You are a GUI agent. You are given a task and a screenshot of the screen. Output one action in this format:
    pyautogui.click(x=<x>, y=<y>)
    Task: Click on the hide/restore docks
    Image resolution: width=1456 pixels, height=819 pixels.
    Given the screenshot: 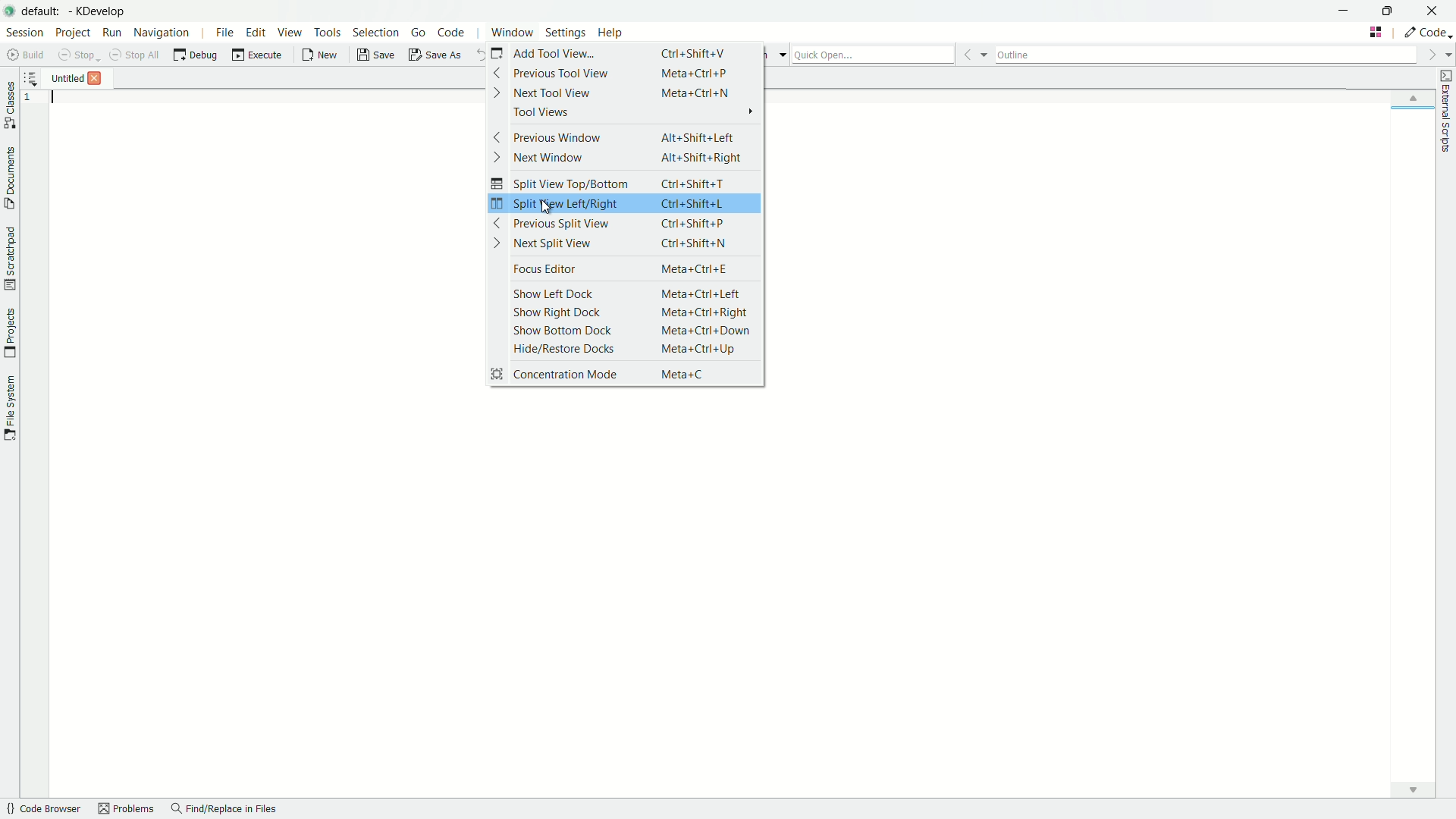 What is the action you would take?
    pyautogui.click(x=574, y=351)
    